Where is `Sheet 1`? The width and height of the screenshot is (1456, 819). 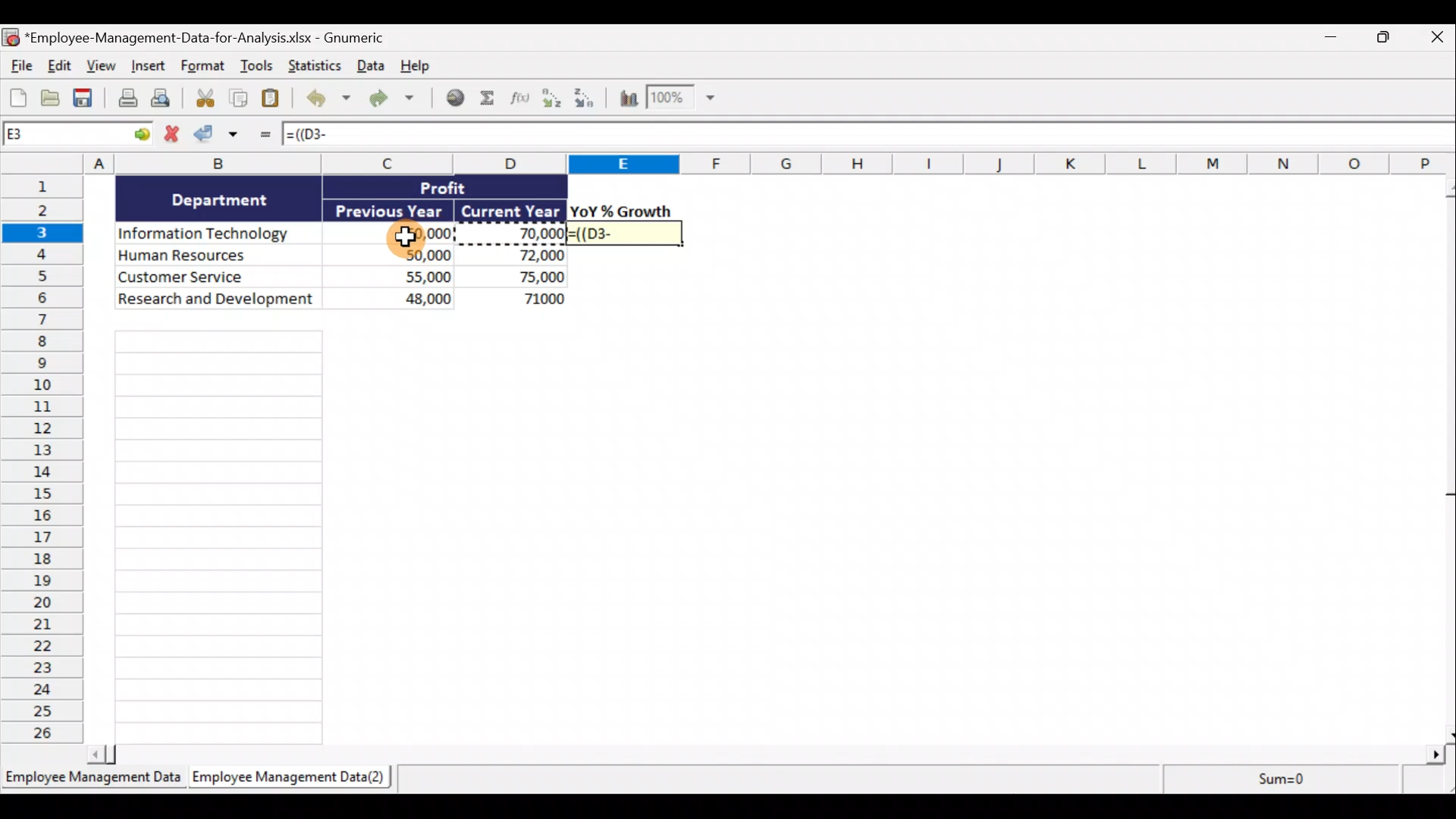
Sheet 1 is located at coordinates (91, 778).